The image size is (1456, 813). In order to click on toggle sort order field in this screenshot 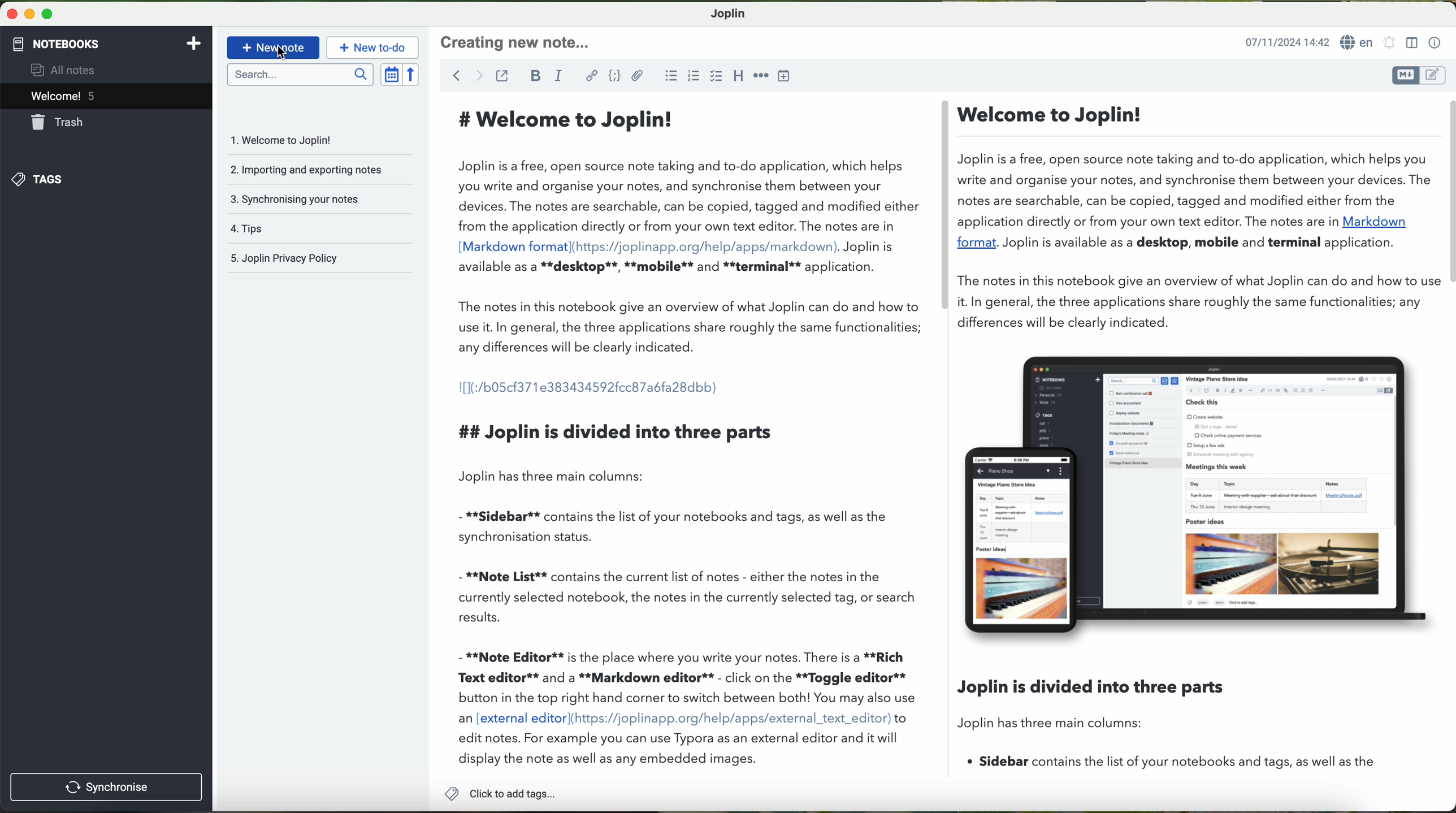, I will do `click(389, 75)`.